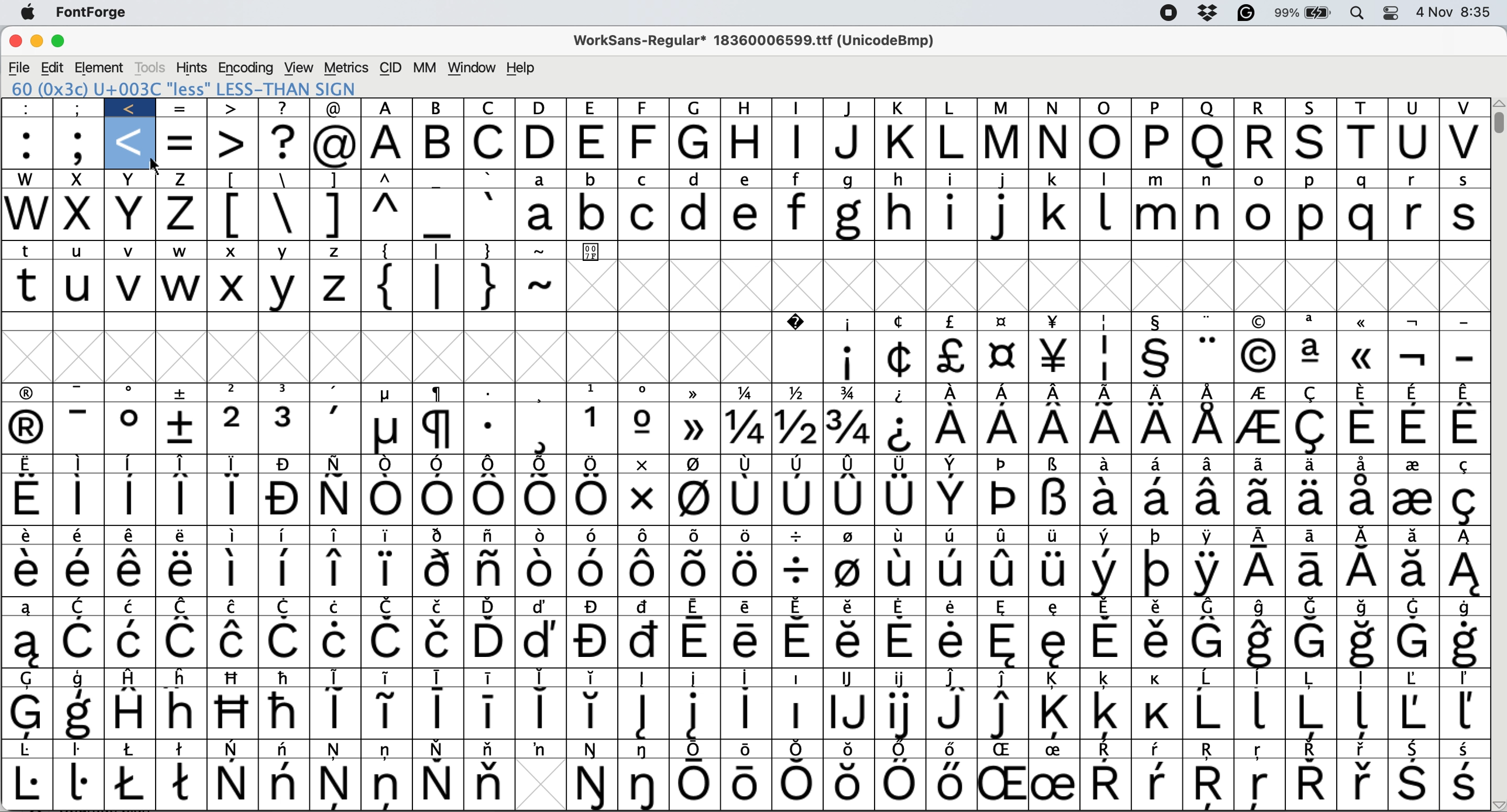 The width and height of the screenshot is (1507, 812). What do you see at coordinates (1310, 678) in the screenshot?
I see `Symbol` at bounding box center [1310, 678].